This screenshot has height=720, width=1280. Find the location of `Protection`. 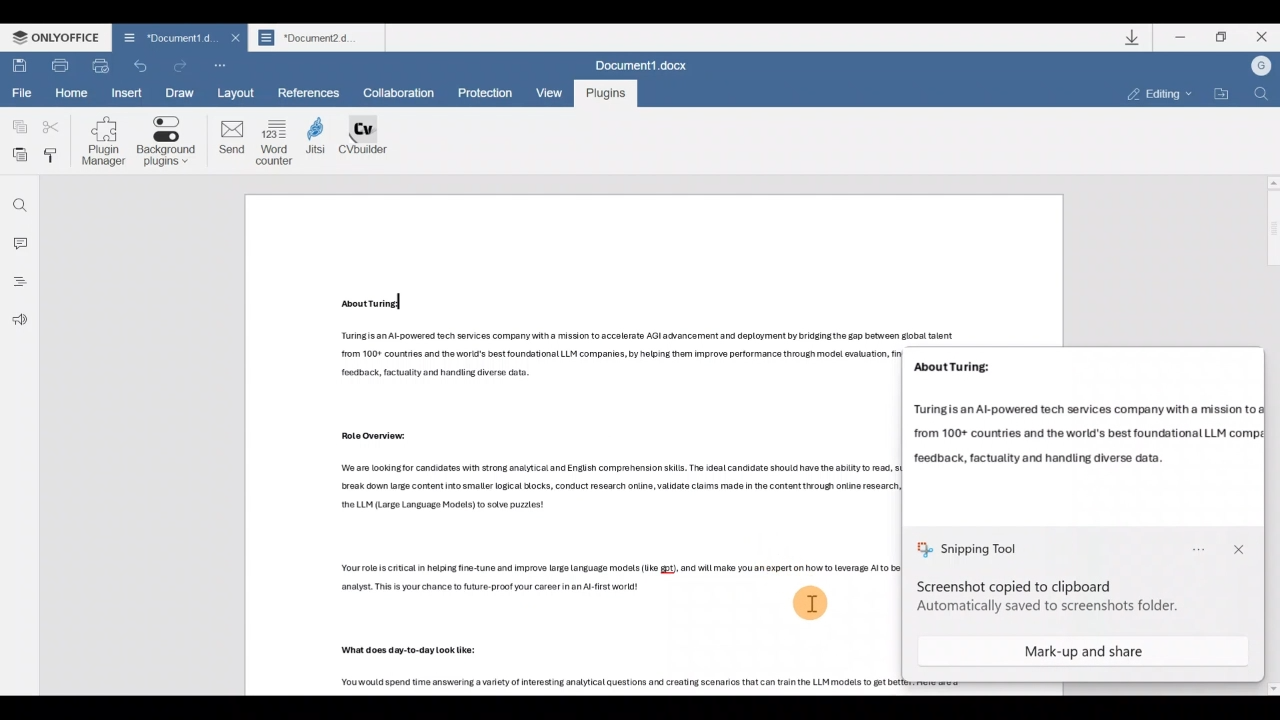

Protection is located at coordinates (492, 93).